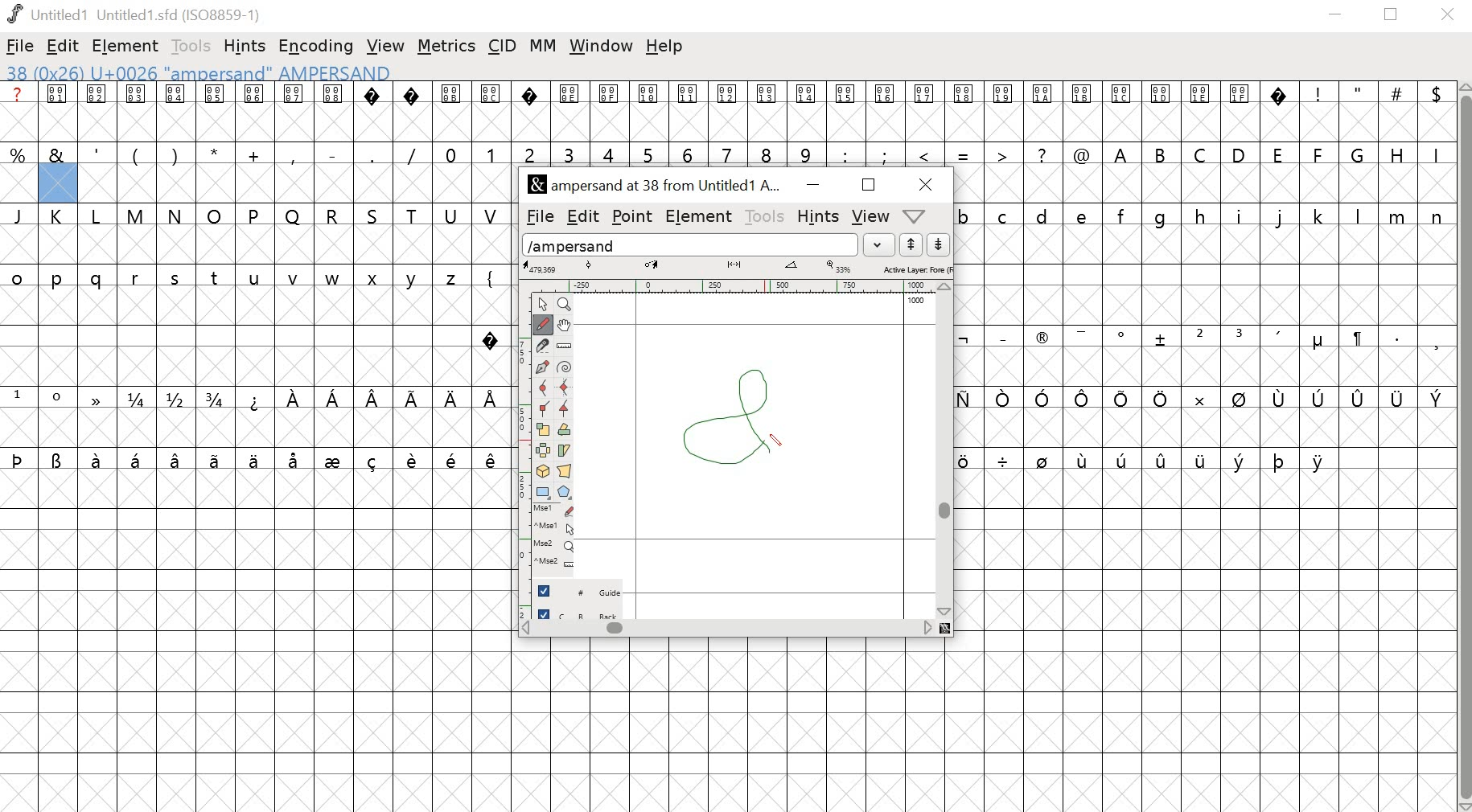 The image size is (1472, 812). What do you see at coordinates (1201, 215) in the screenshot?
I see `h` at bounding box center [1201, 215].